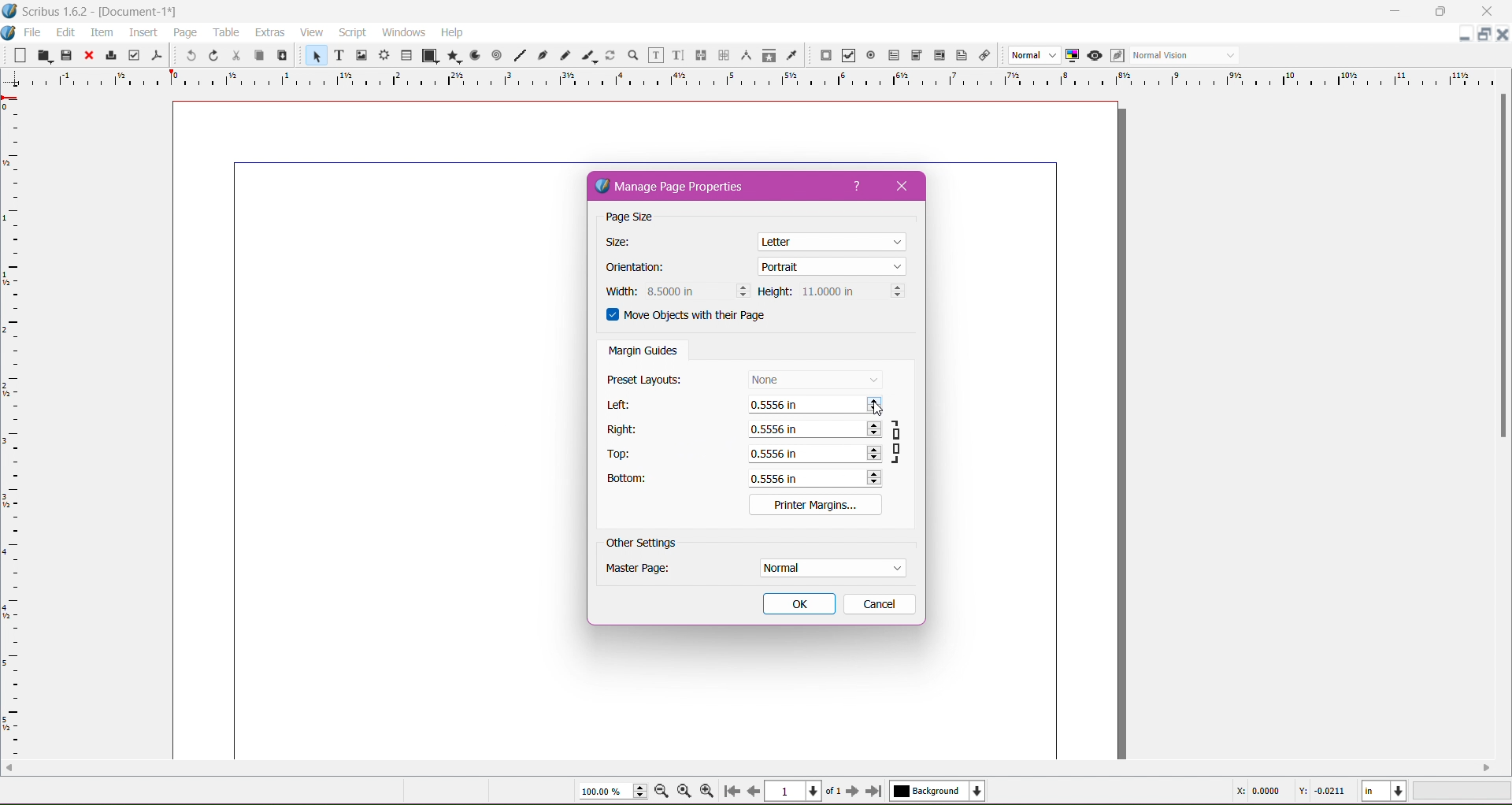  What do you see at coordinates (282, 56) in the screenshot?
I see `Paste` at bounding box center [282, 56].